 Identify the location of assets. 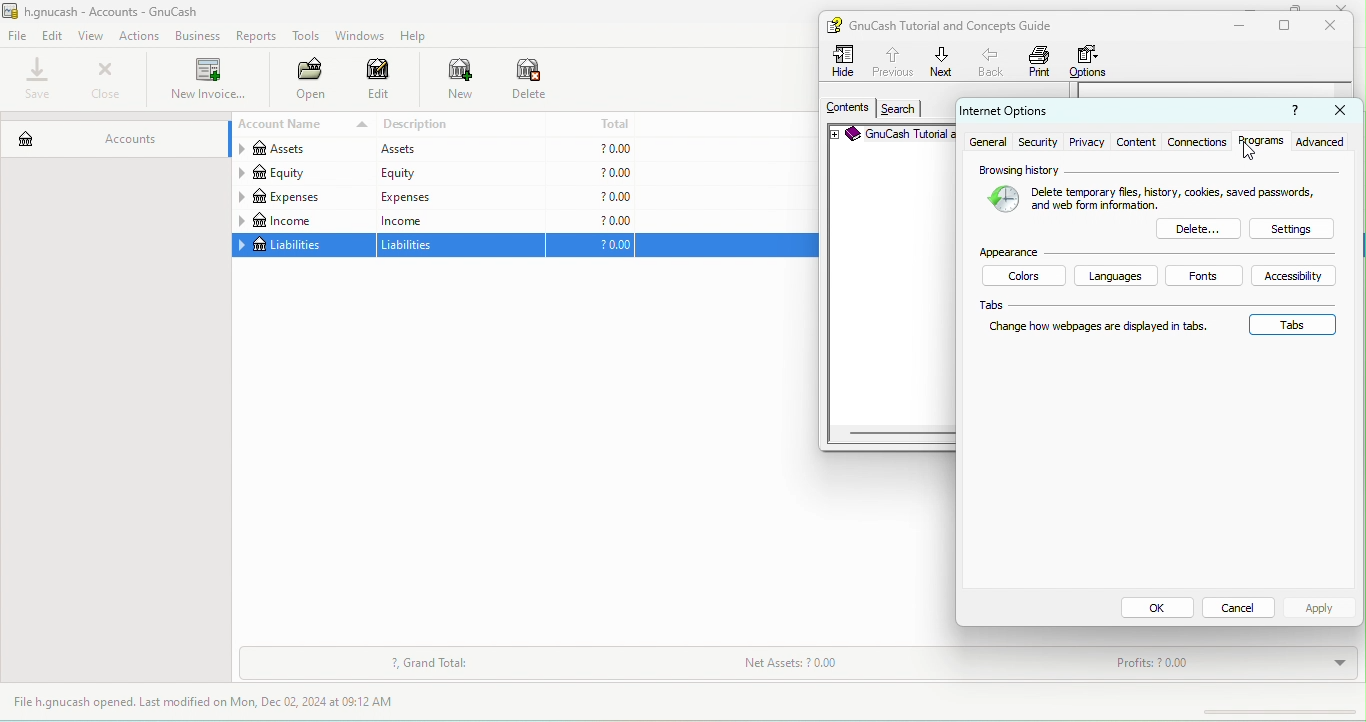
(456, 150).